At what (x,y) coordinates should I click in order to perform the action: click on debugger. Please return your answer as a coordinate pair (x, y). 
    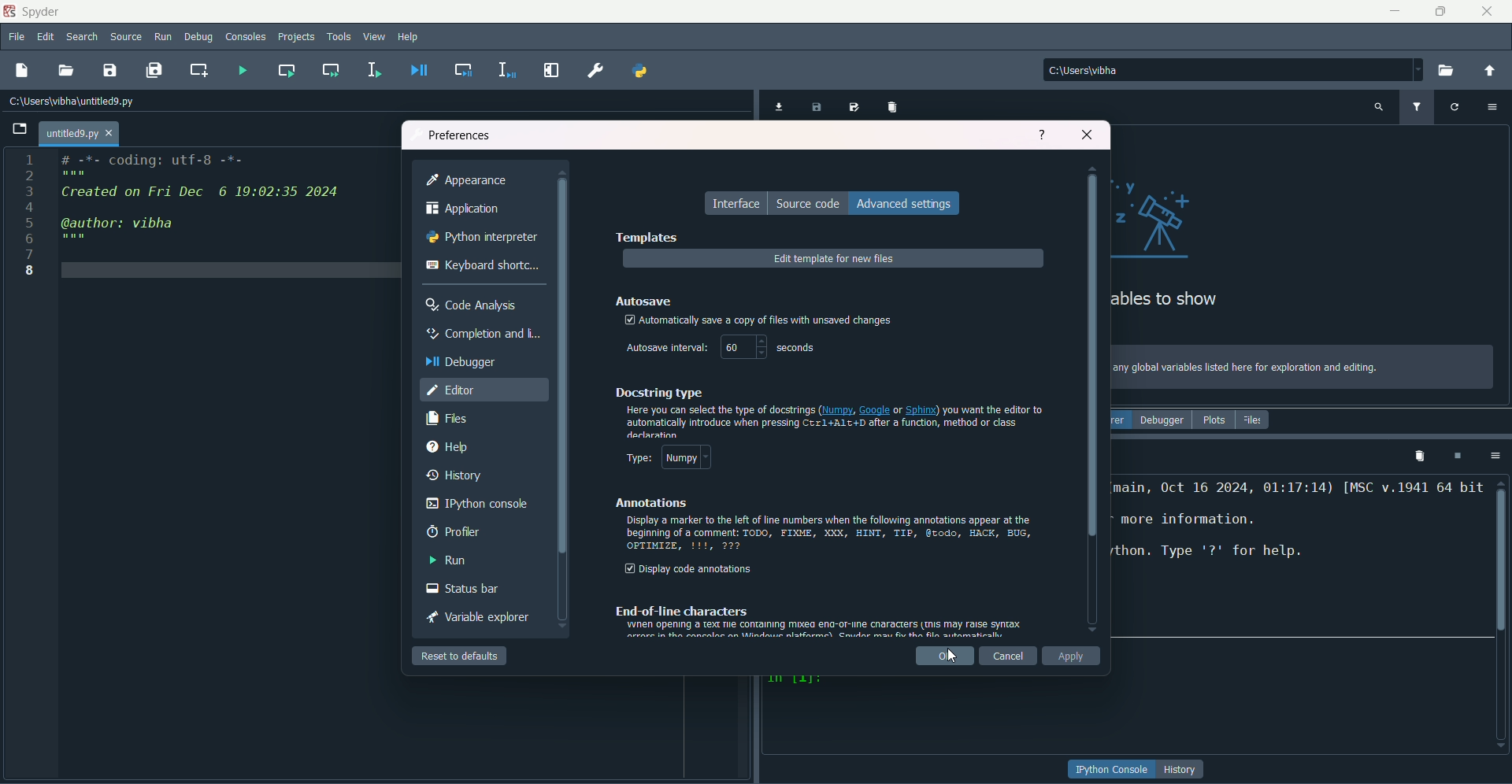
    Looking at the image, I should click on (1162, 420).